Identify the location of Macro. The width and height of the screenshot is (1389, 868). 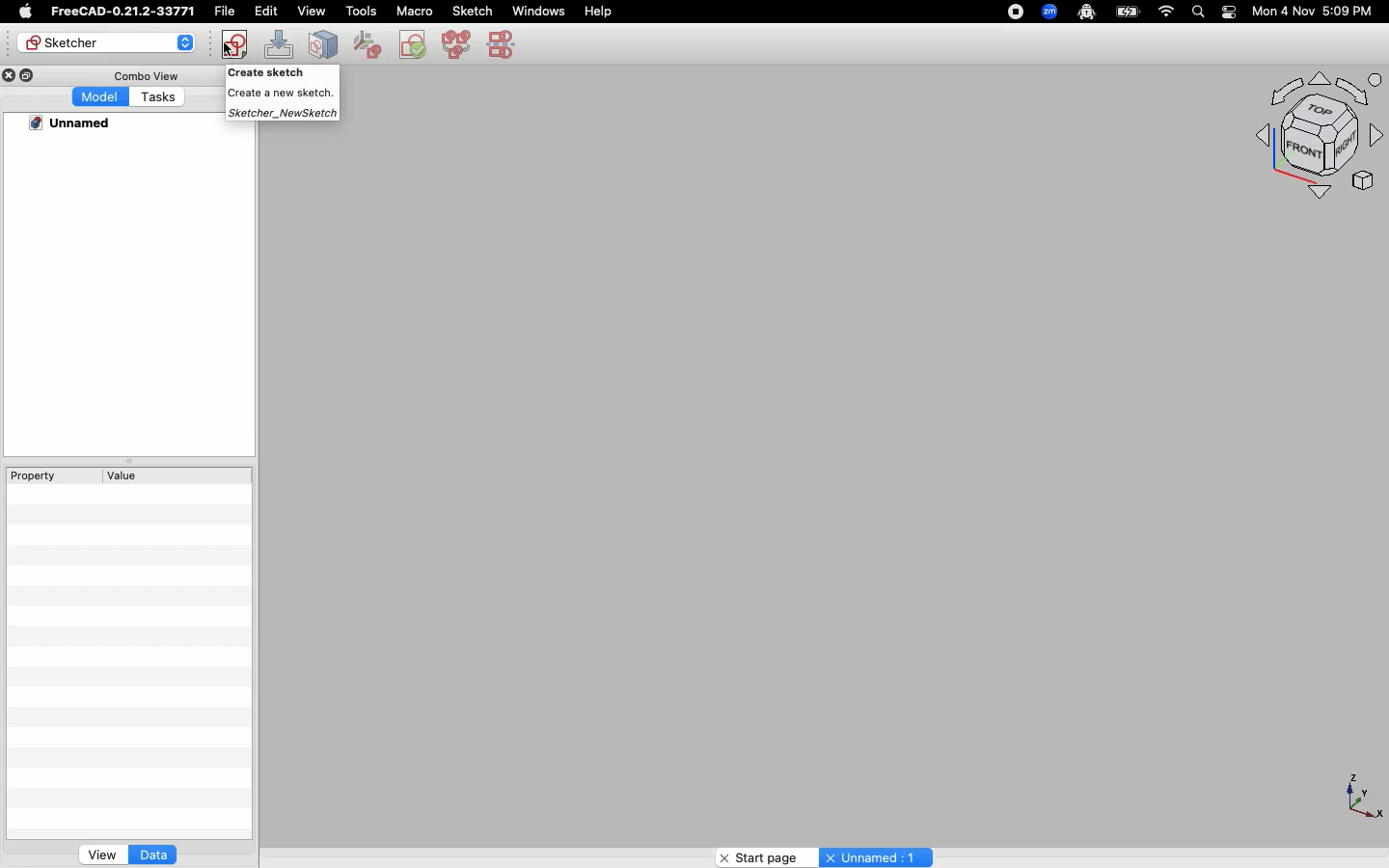
(413, 12).